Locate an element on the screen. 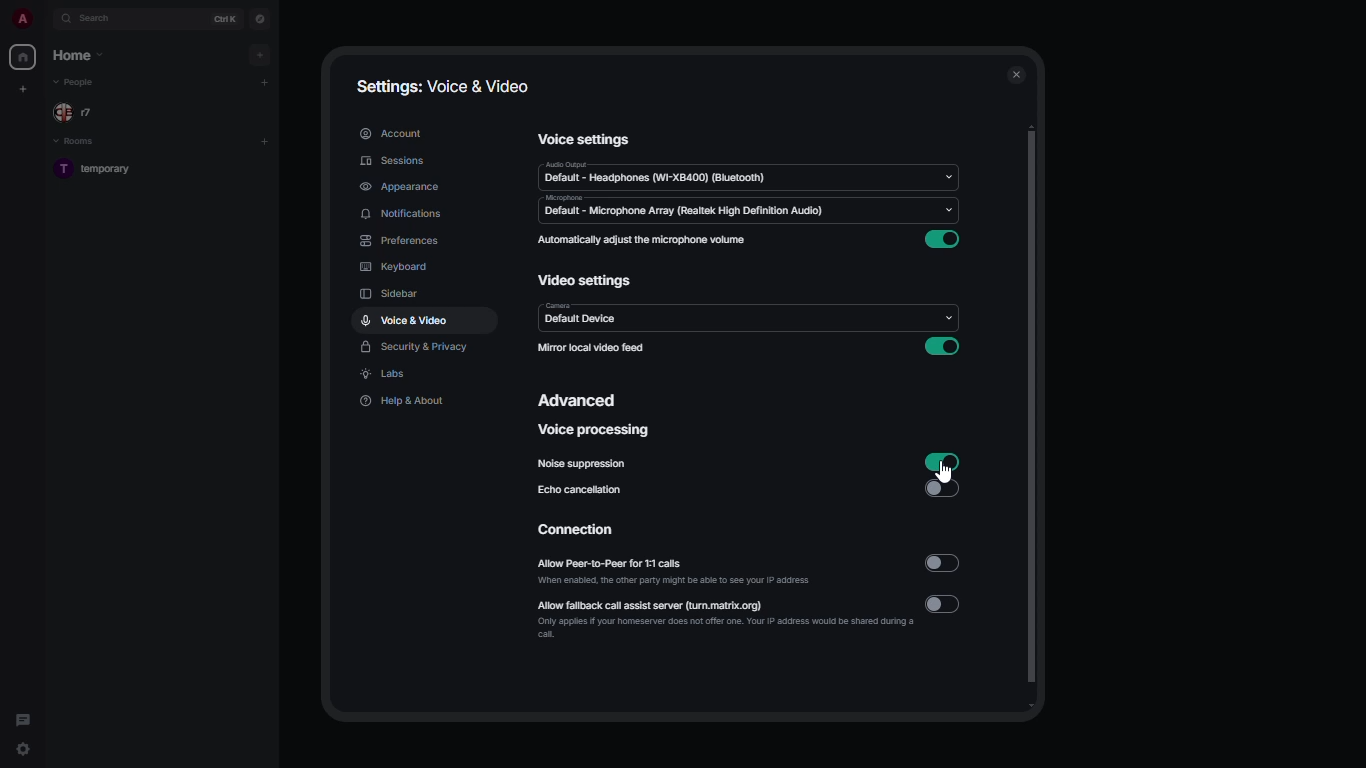  drop down is located at coordinates (948, 208).